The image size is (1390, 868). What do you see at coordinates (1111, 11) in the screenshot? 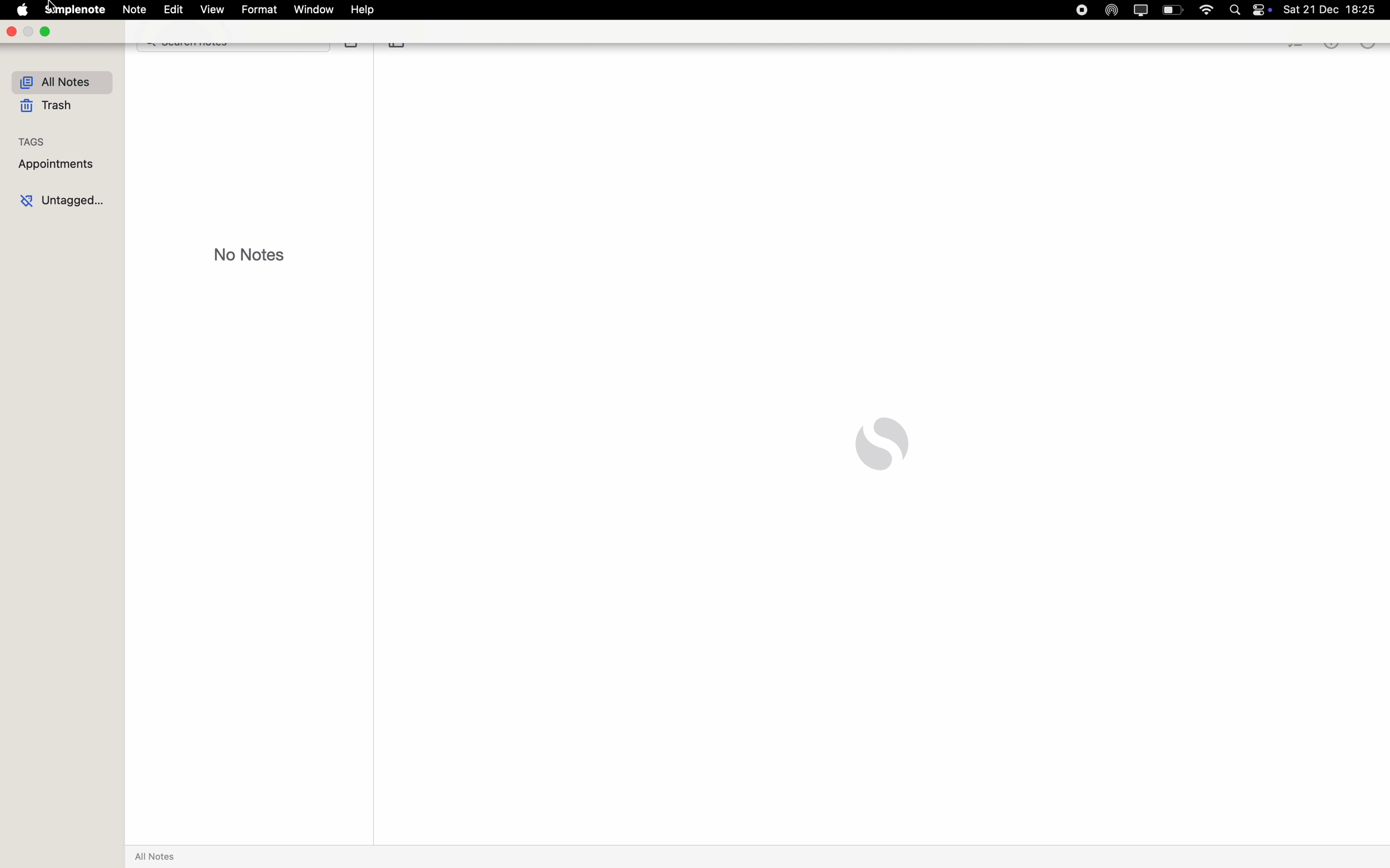
I see `Airdrop` at bounding box center [1111, 11].